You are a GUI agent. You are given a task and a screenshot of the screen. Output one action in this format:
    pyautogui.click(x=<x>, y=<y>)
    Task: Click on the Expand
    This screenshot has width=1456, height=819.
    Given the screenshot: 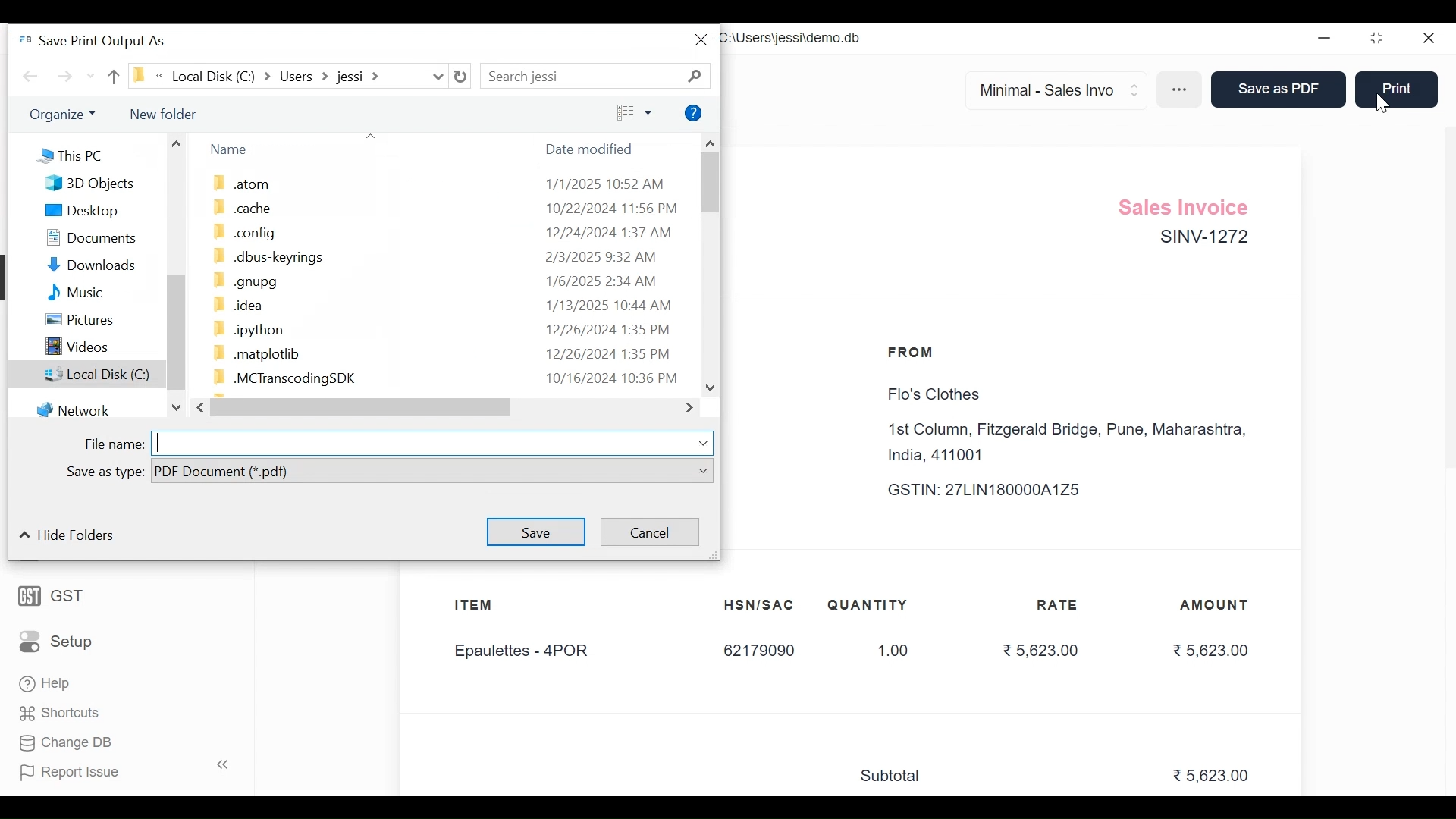 What is the action you would take?
    pyautogui.click(x=1136, y=88)
    